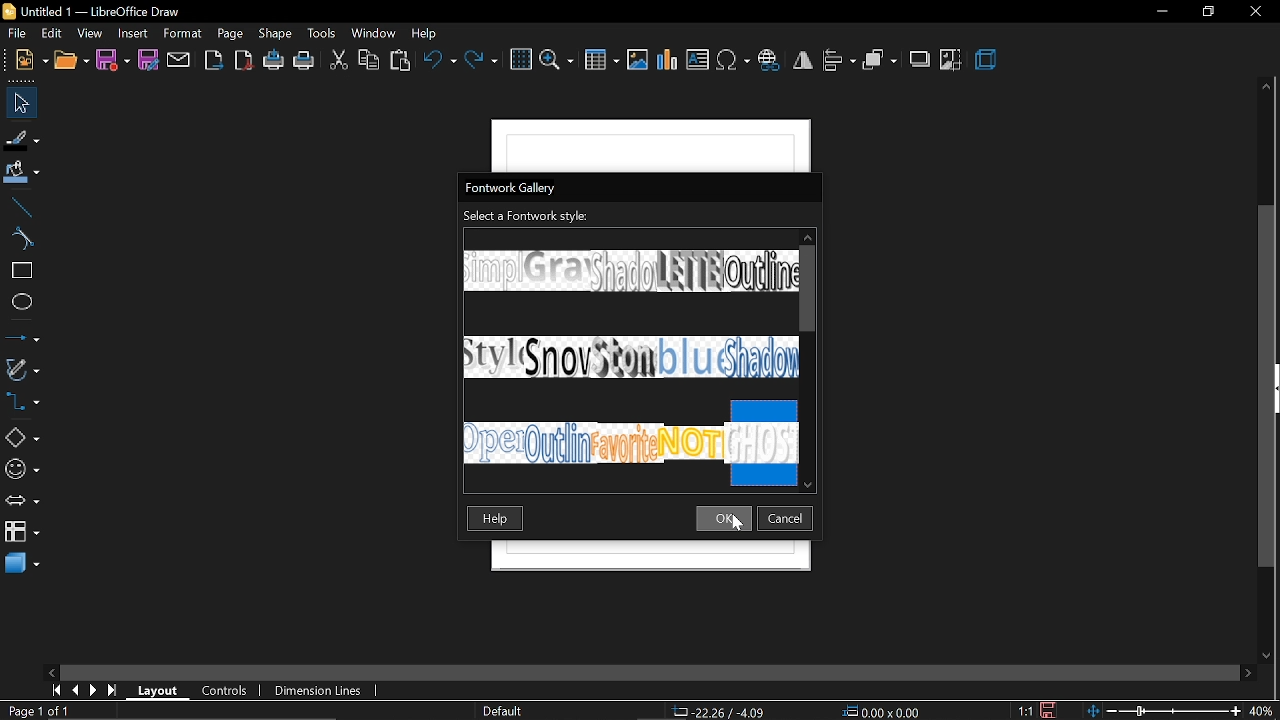 This screenshot has height=720, width=1280. Describe the element at coordinates (22, 337) in the screenshot. I see `lines and arrow` at that location.